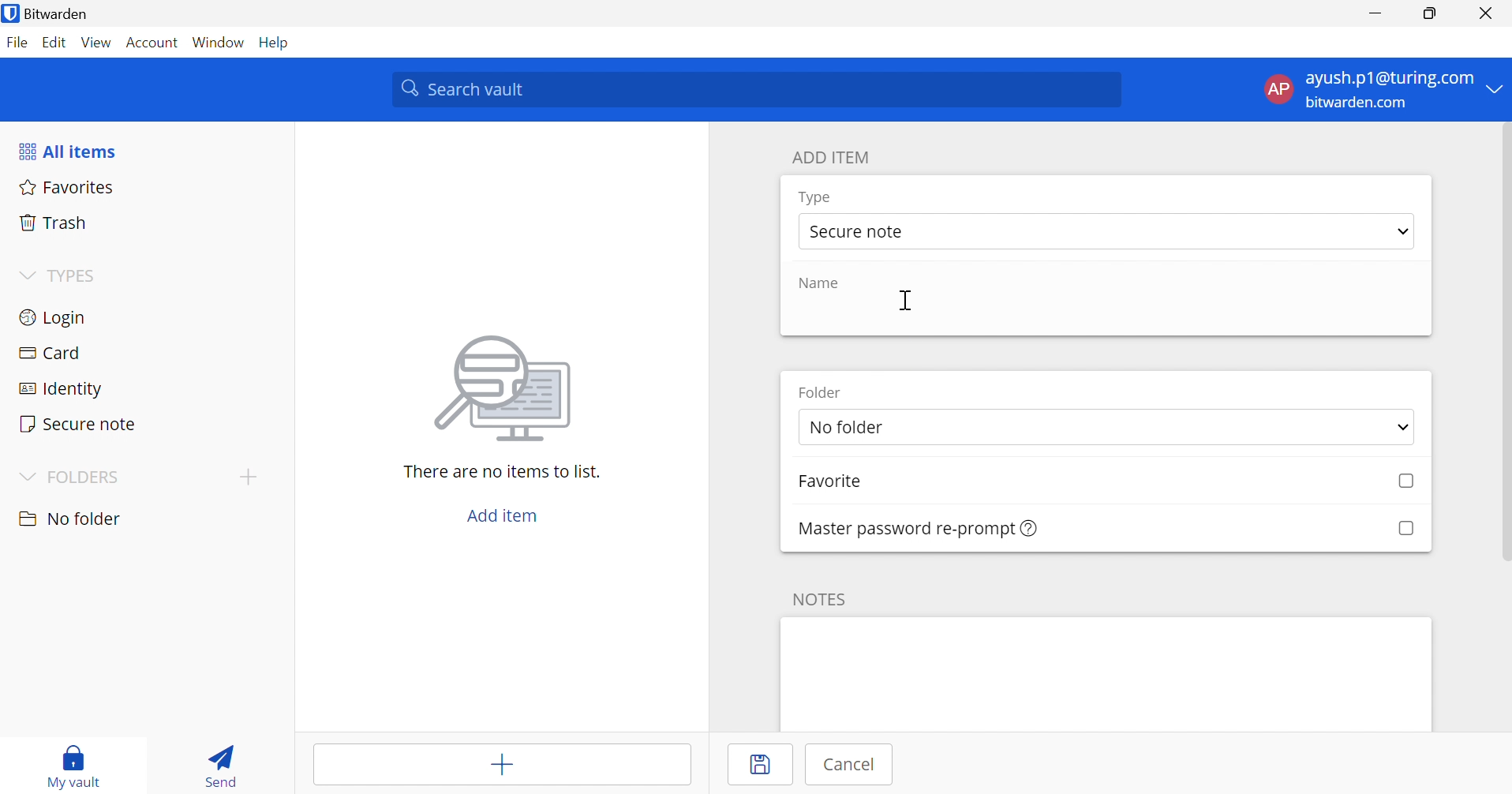  Describe the element at coordinates (1403, 233) in the screenshot. I see `Drop Down` at that location.